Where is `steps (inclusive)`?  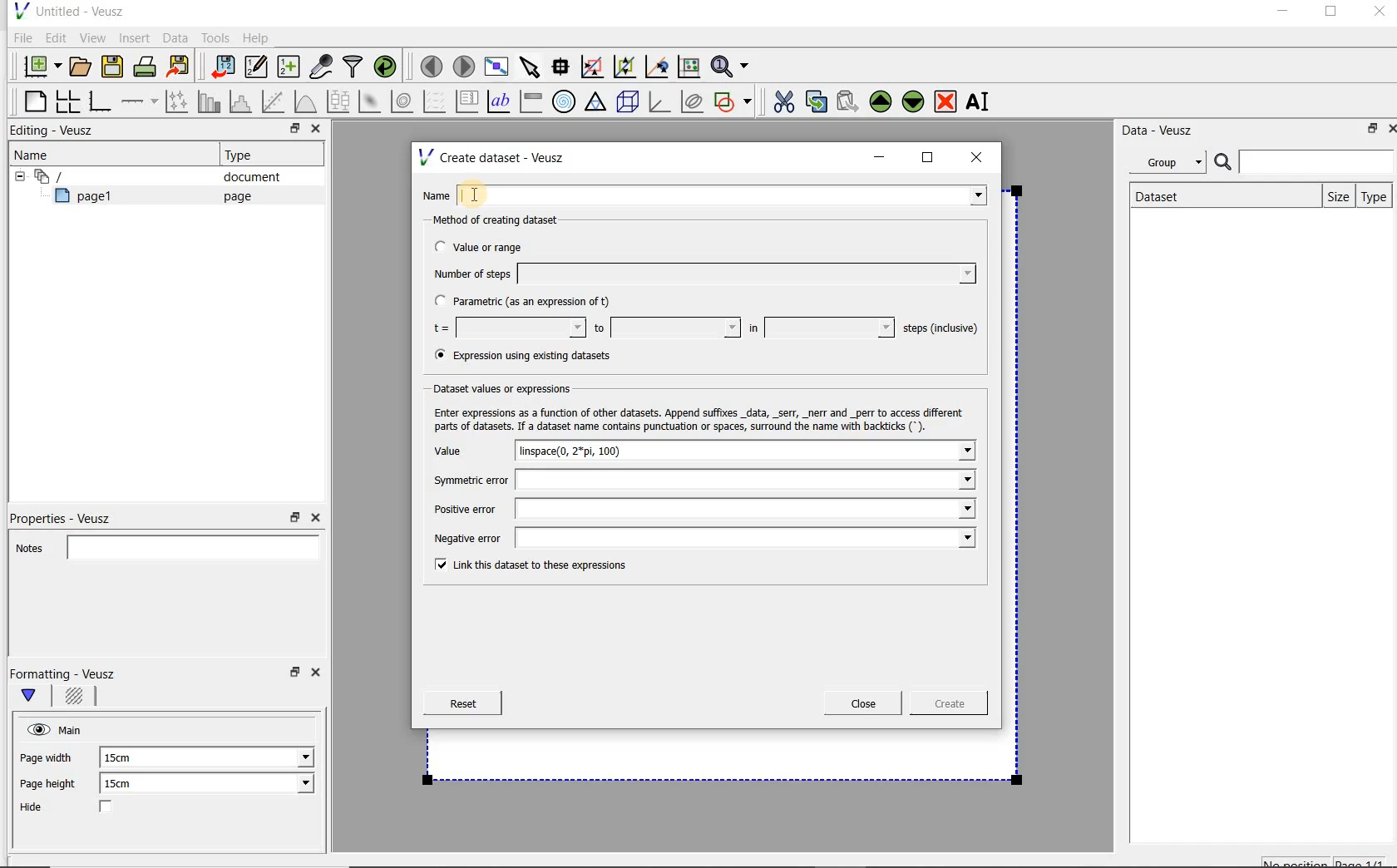 steps (inclusive) is located at coordinates (941, 329).